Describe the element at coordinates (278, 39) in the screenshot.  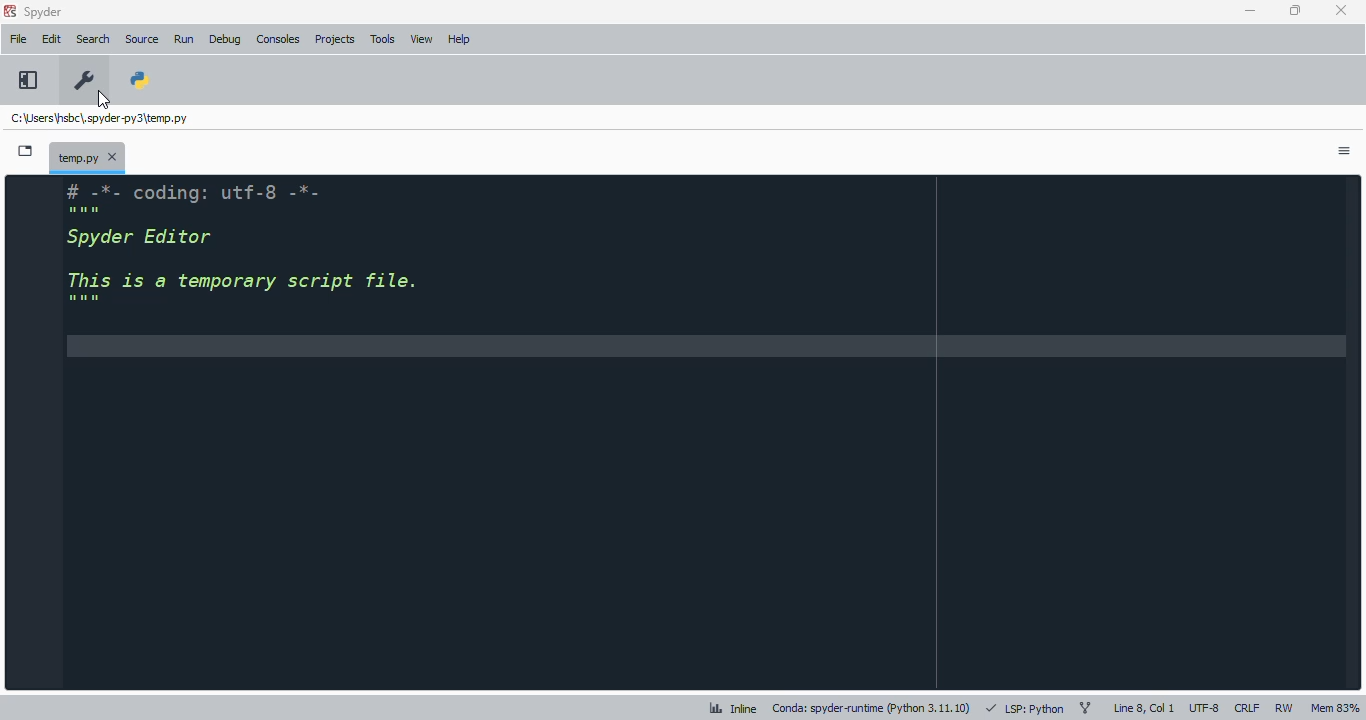
I see `consoles` at that location.